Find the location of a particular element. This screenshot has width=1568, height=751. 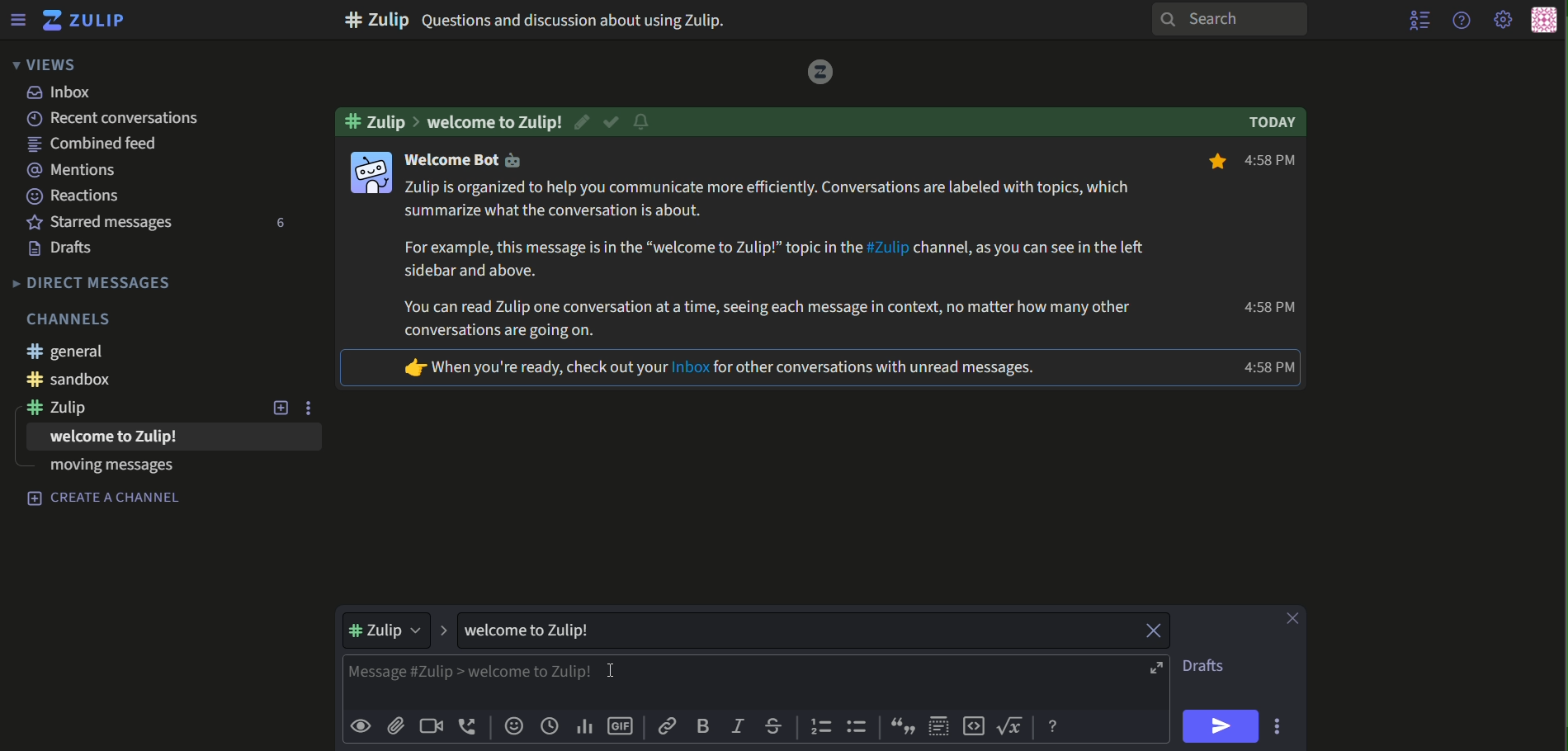

text is located at coordinates (101, 145).